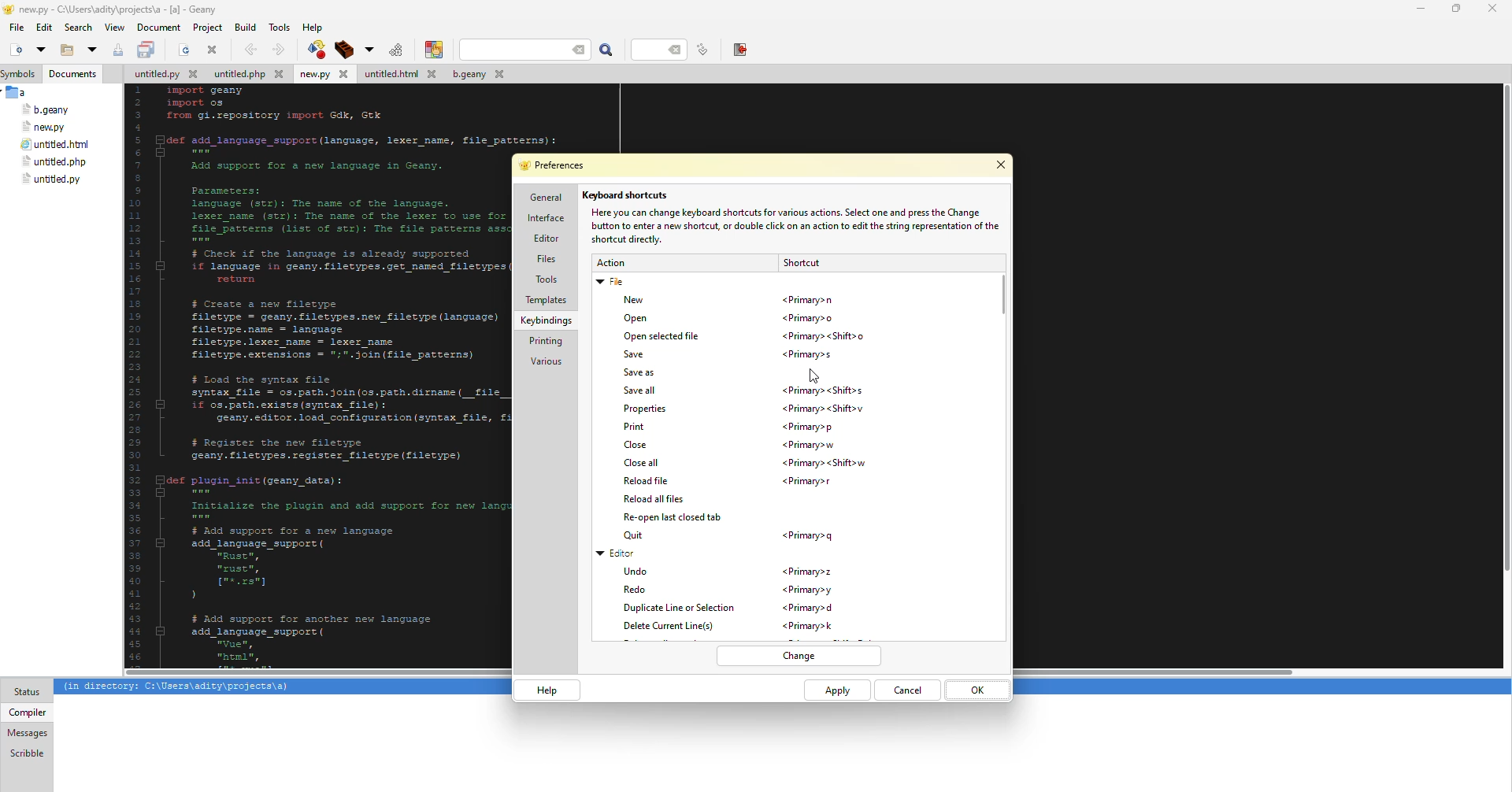  I want to click on change, so click(799, 657).